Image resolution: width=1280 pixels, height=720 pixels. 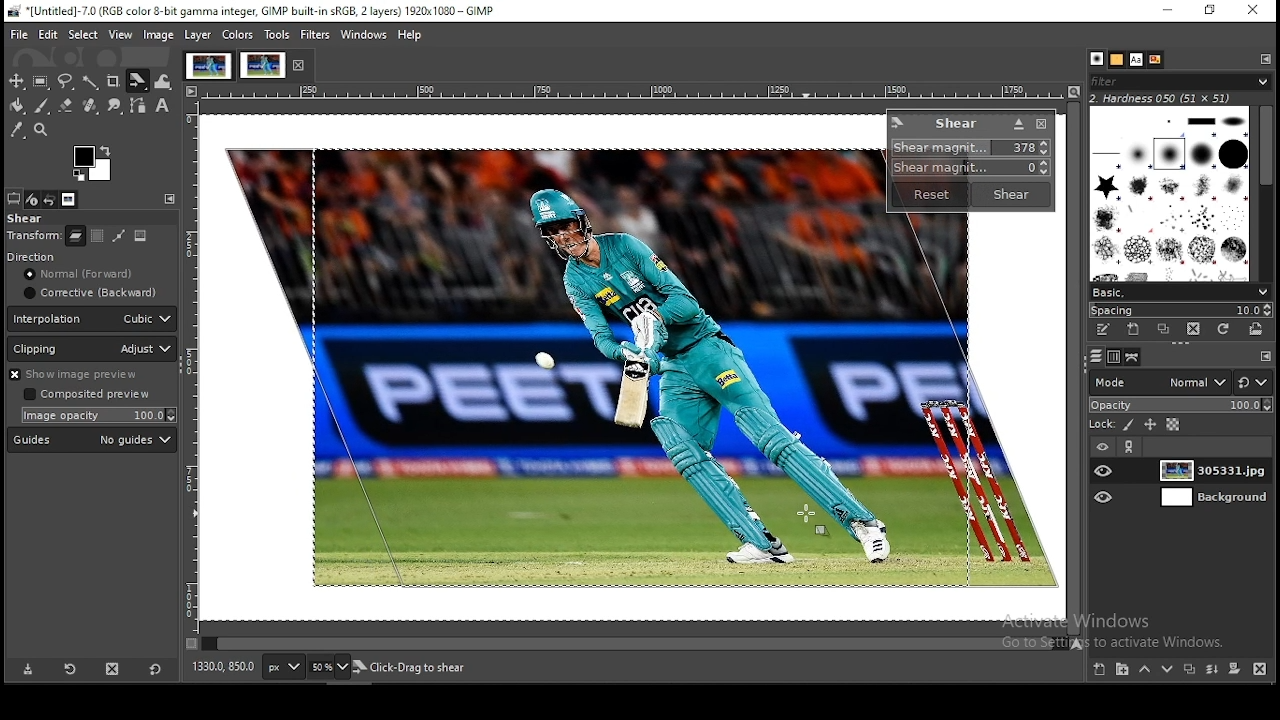 I want to click on interpolation , so click(x=92, y=319).